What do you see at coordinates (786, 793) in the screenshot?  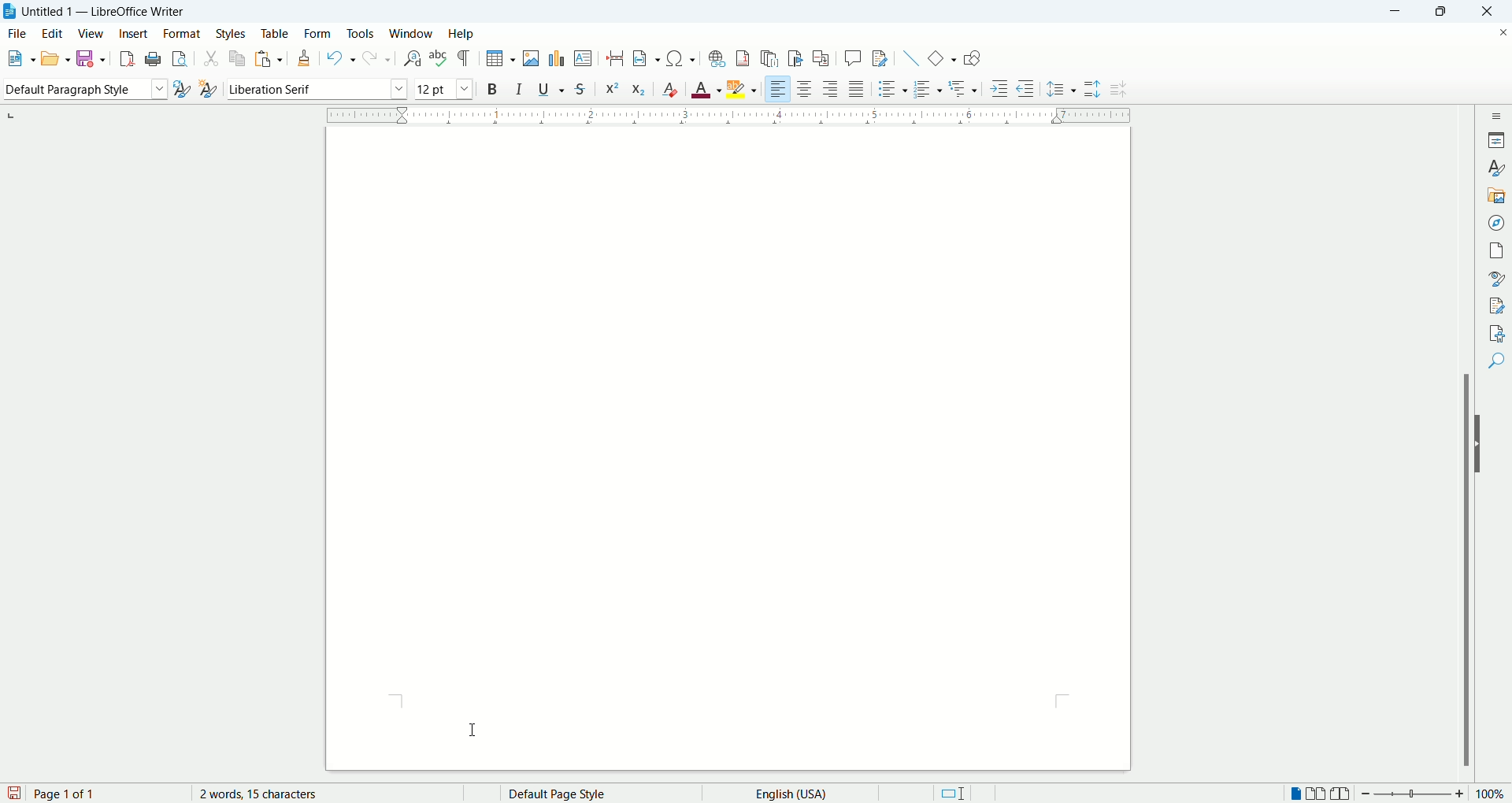 I see `text language` at bounding box center [786, 793].